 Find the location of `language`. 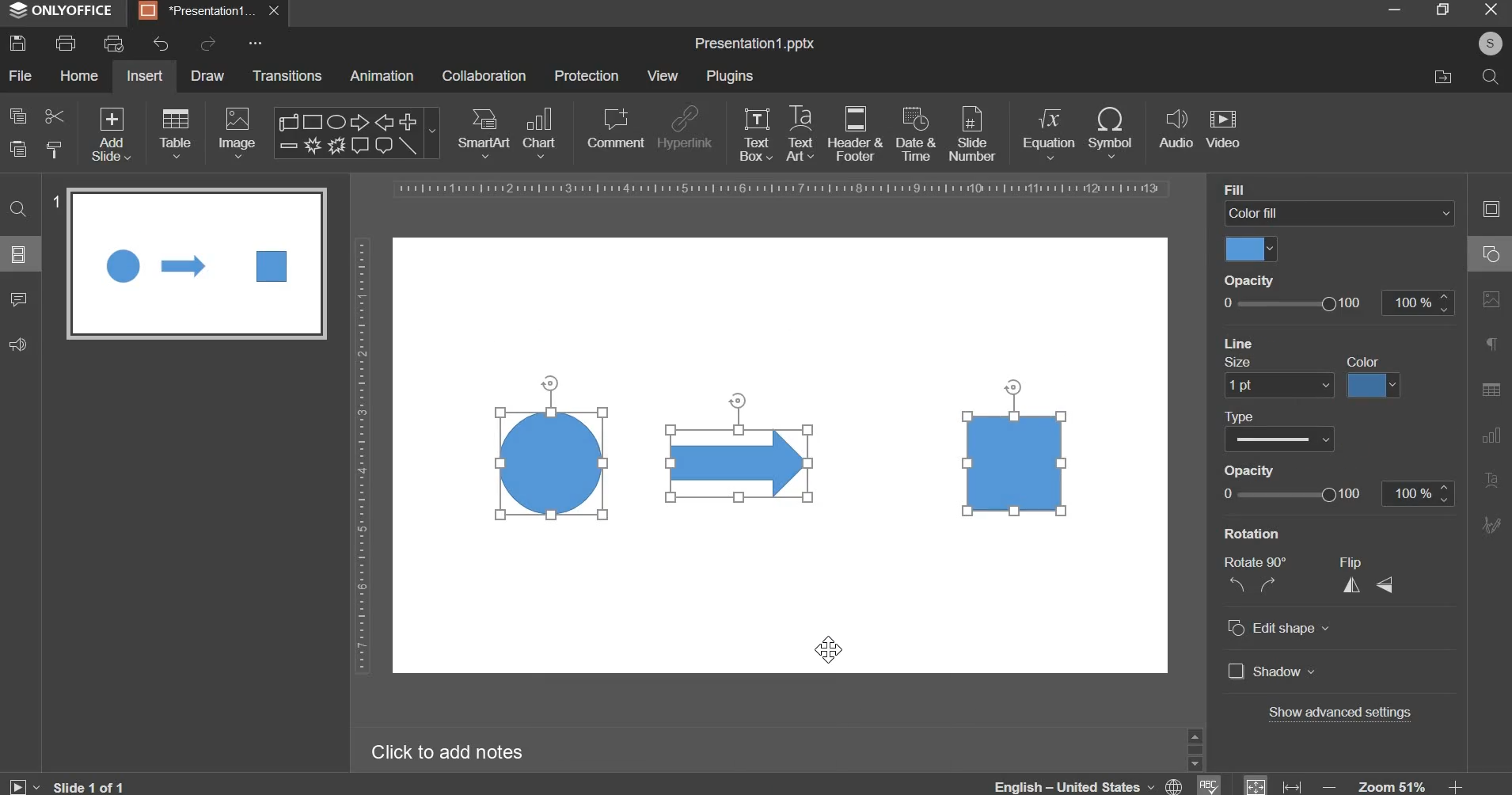

language is located at coordinates (1091, 782).